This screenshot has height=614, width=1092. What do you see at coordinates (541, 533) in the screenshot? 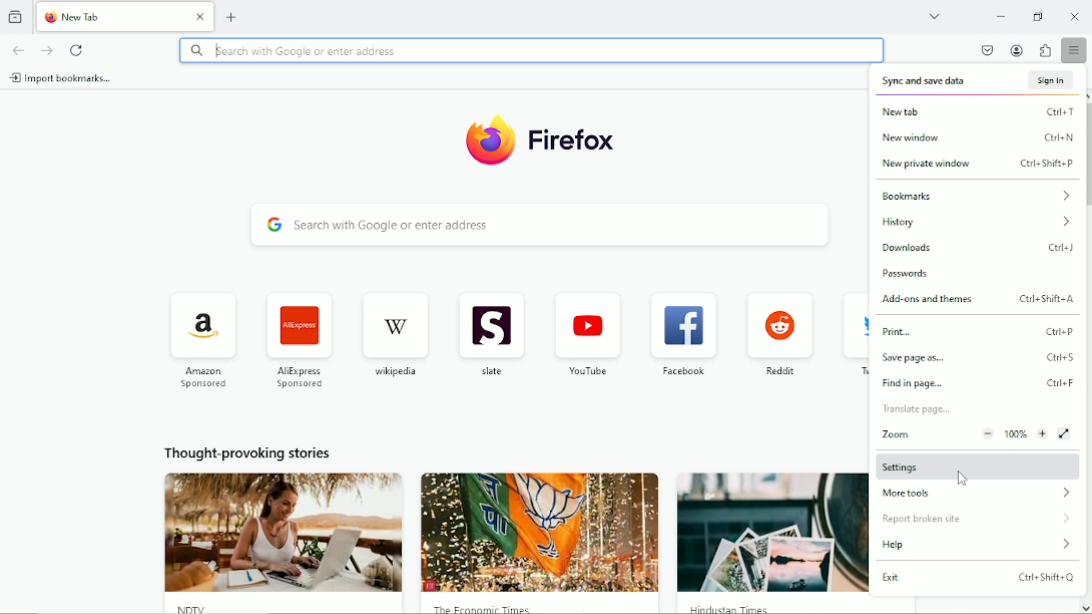
I see `image` at bounding box center [541, 533].